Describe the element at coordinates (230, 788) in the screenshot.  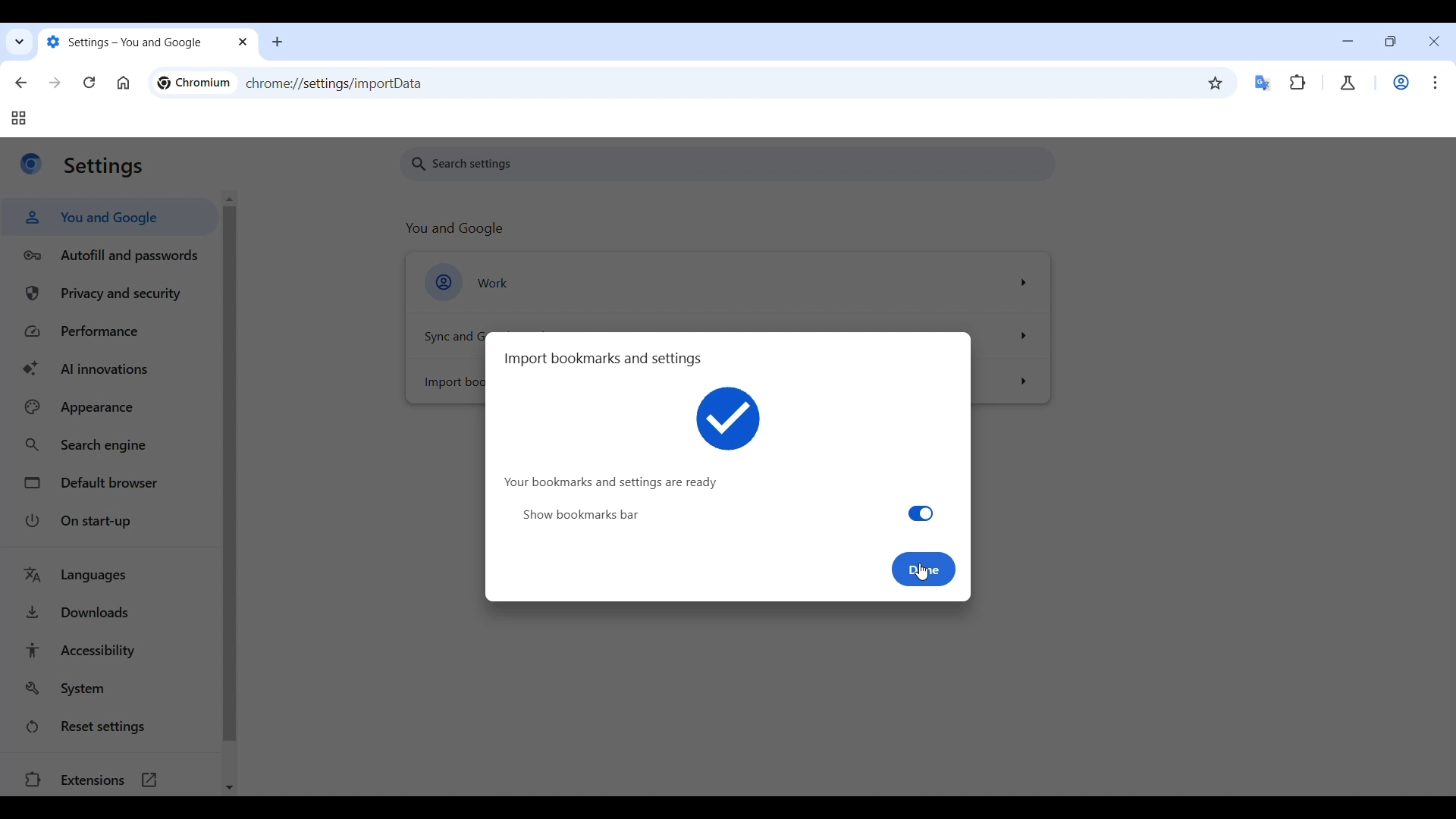
I see `Quick slide to bottom` at that location.